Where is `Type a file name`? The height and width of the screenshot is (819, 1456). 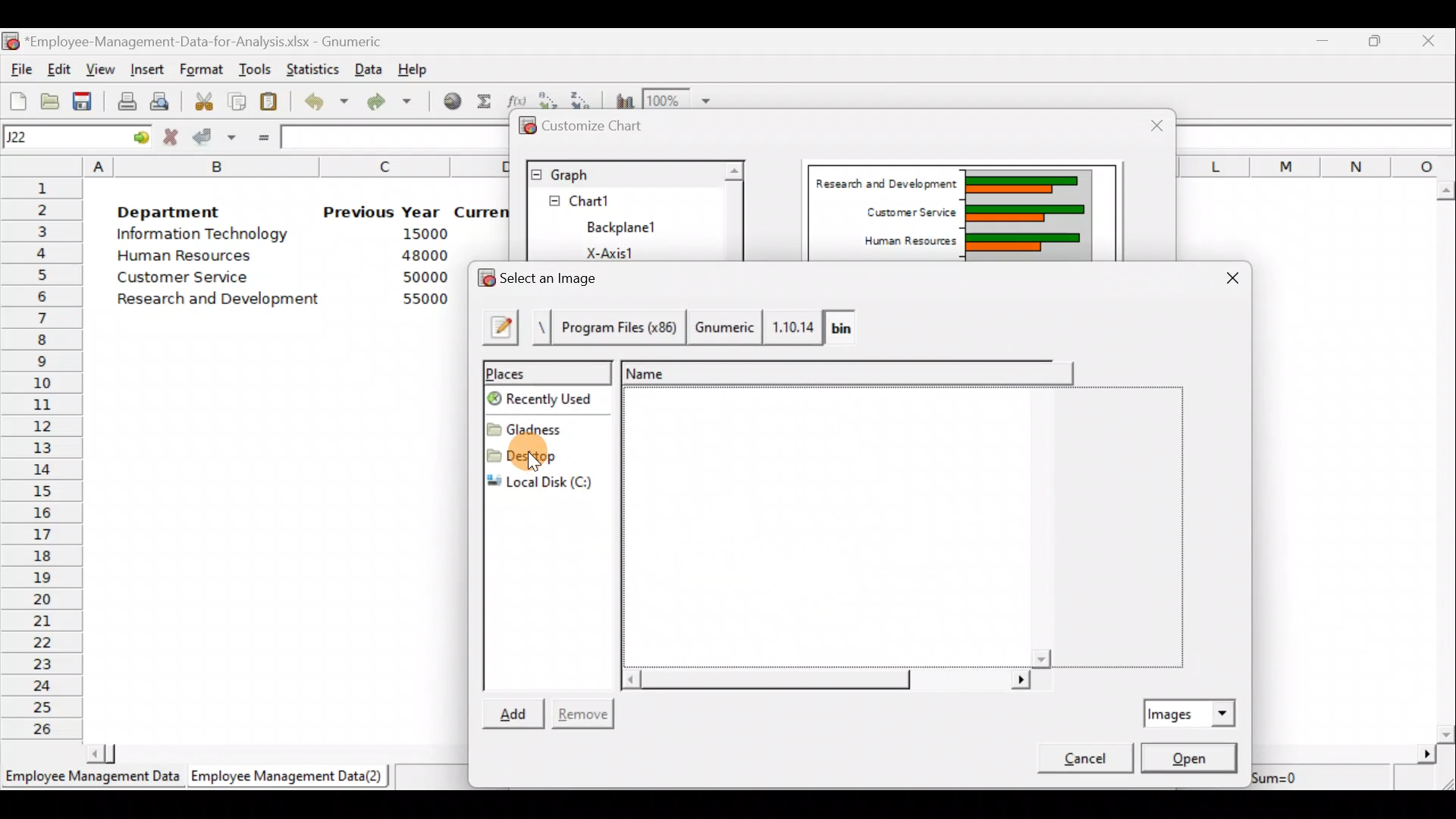 Type a file name is located at coordinates (499, 325).